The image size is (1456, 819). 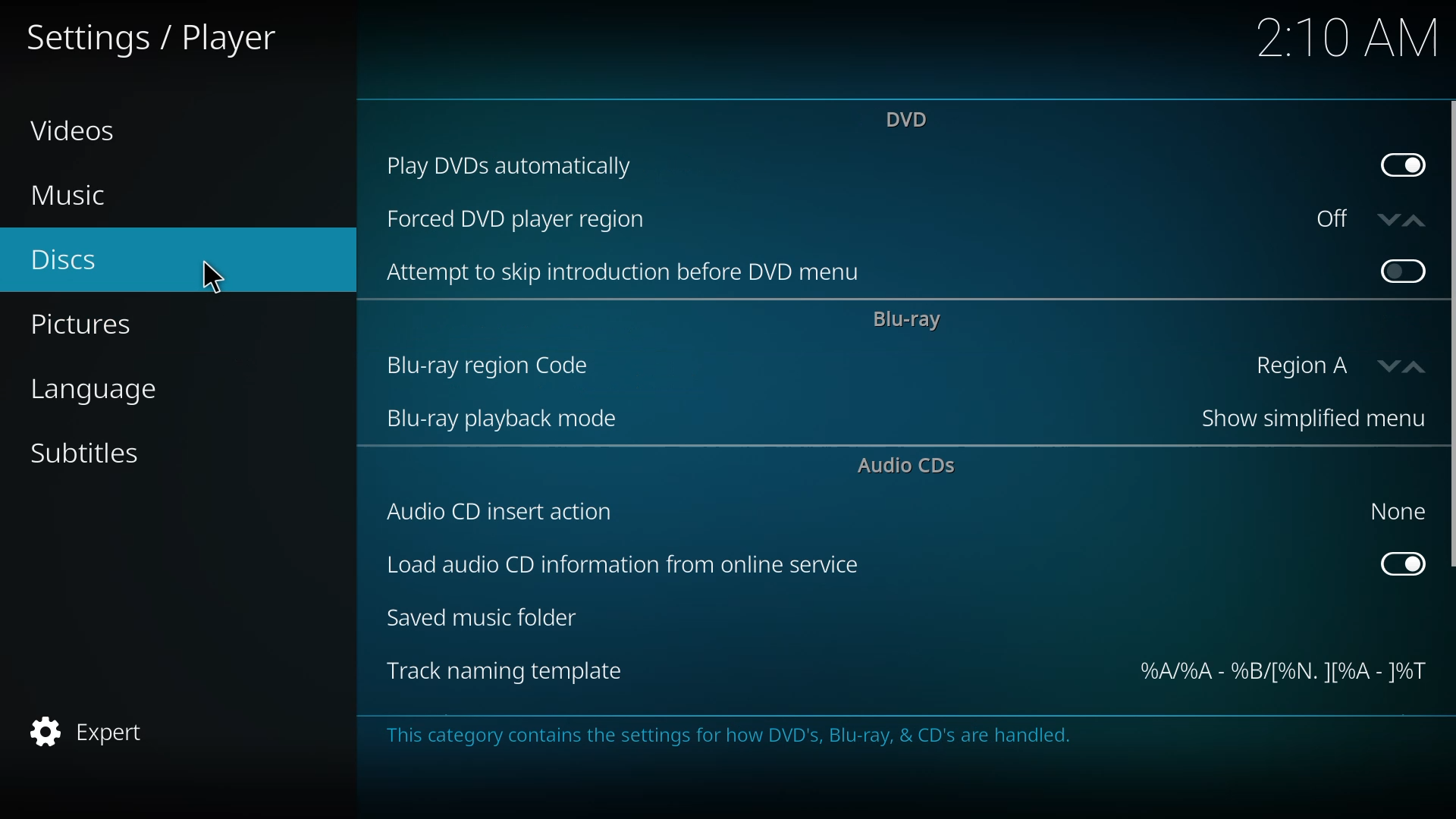 What do you see at coordinates (212, 277) in the screenshot?
I see `cursor` at bounding box center [212, 277].